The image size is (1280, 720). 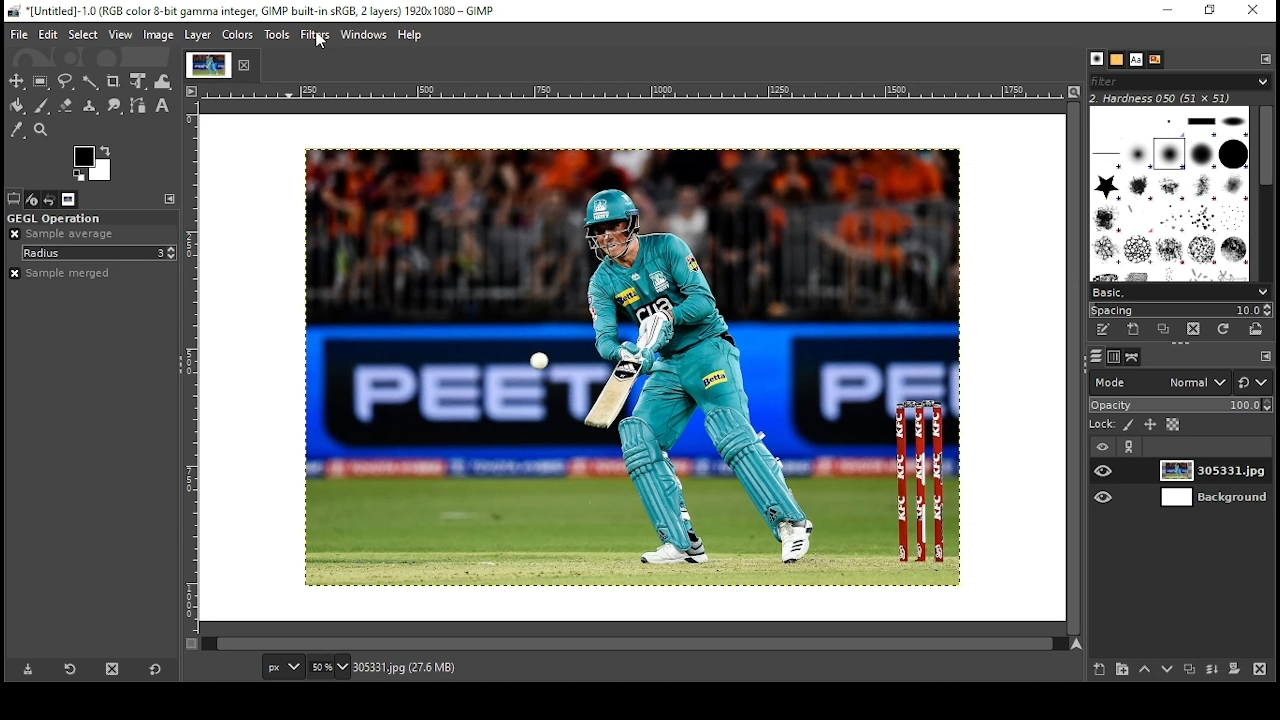 What do you see at coordinates (632, 367) in the screenshot?
I see `image` at bounding box center [632, 367].